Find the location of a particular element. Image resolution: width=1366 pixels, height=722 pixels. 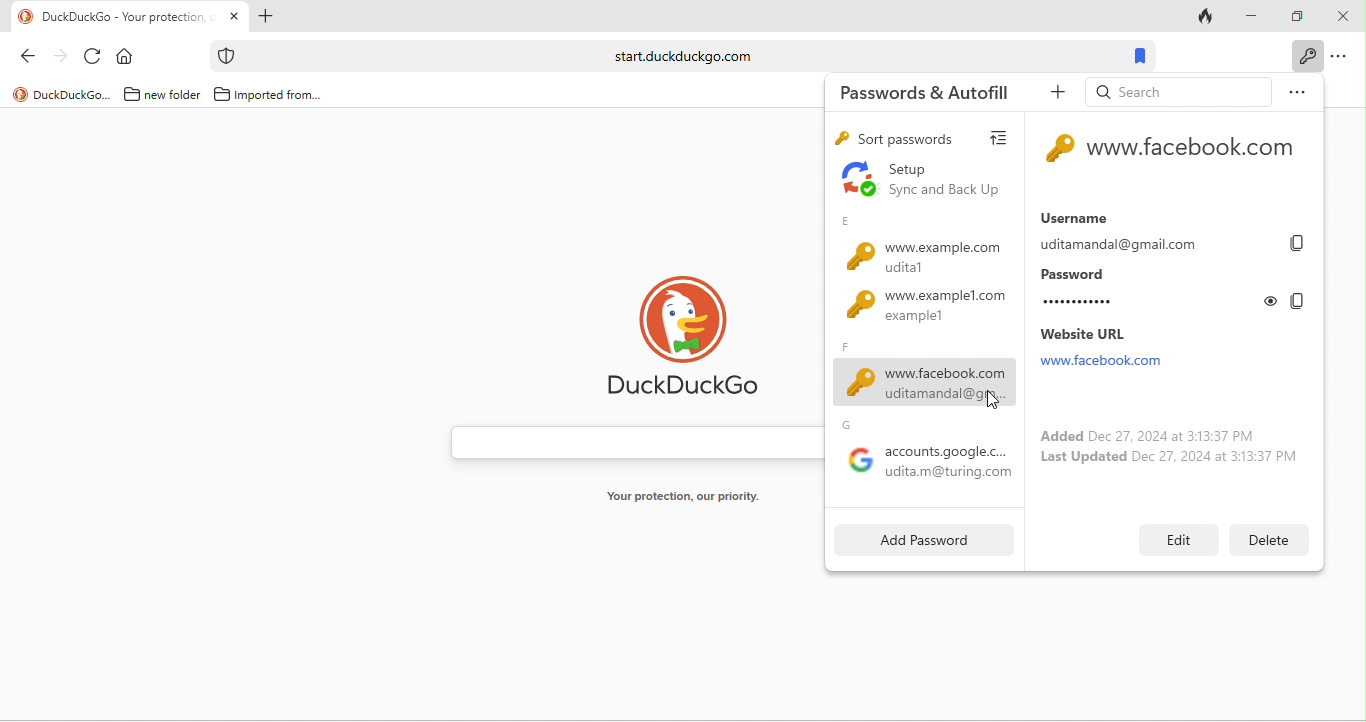

sort passwords is located at coordinates (899, 140).